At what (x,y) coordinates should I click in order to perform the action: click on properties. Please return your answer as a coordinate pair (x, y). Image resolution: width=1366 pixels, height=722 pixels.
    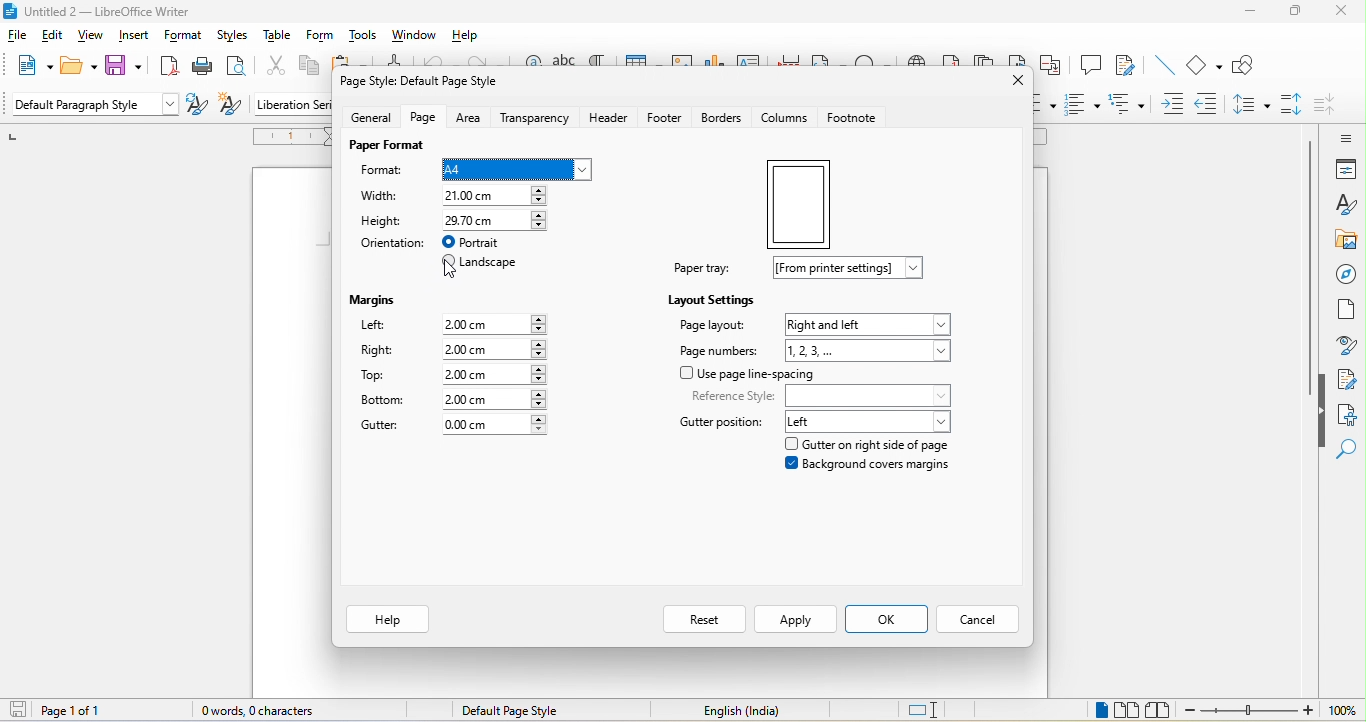
    Looking at the image, I should click on (1343, 169).